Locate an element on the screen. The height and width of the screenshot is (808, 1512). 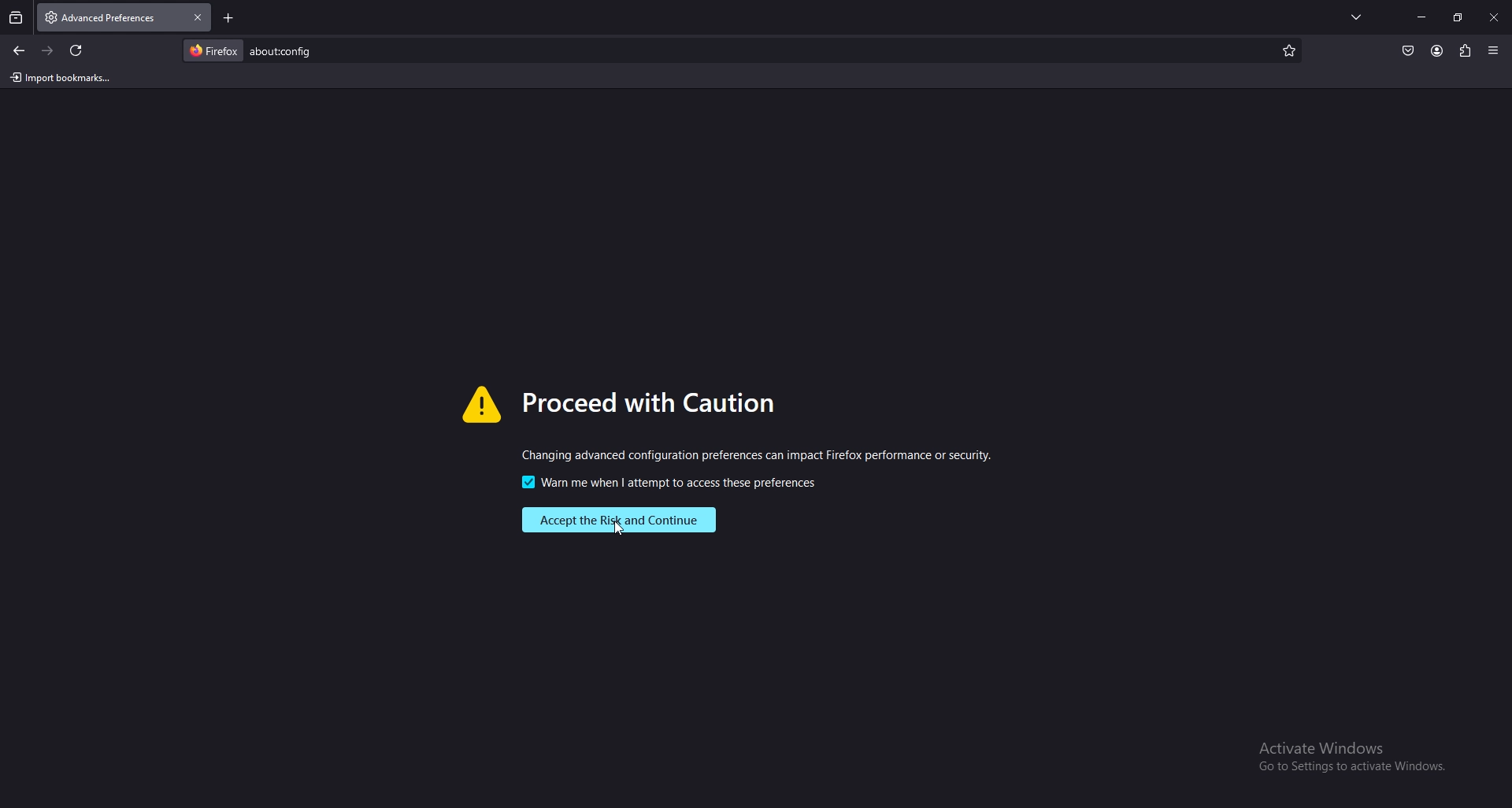
warning message is located at coordinates (754, 454).